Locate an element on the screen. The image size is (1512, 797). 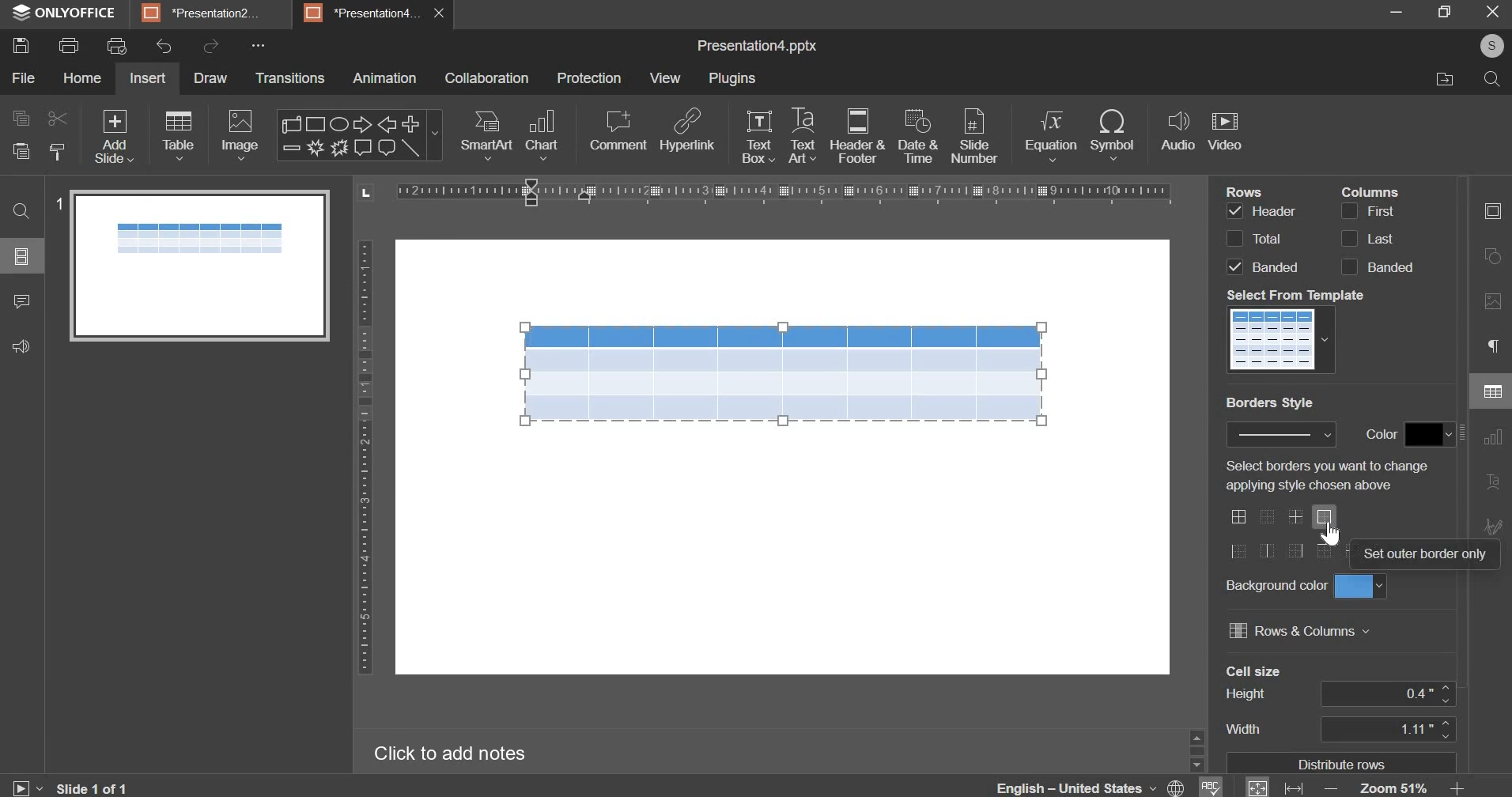
background color is located at coordinates (1305, 585).